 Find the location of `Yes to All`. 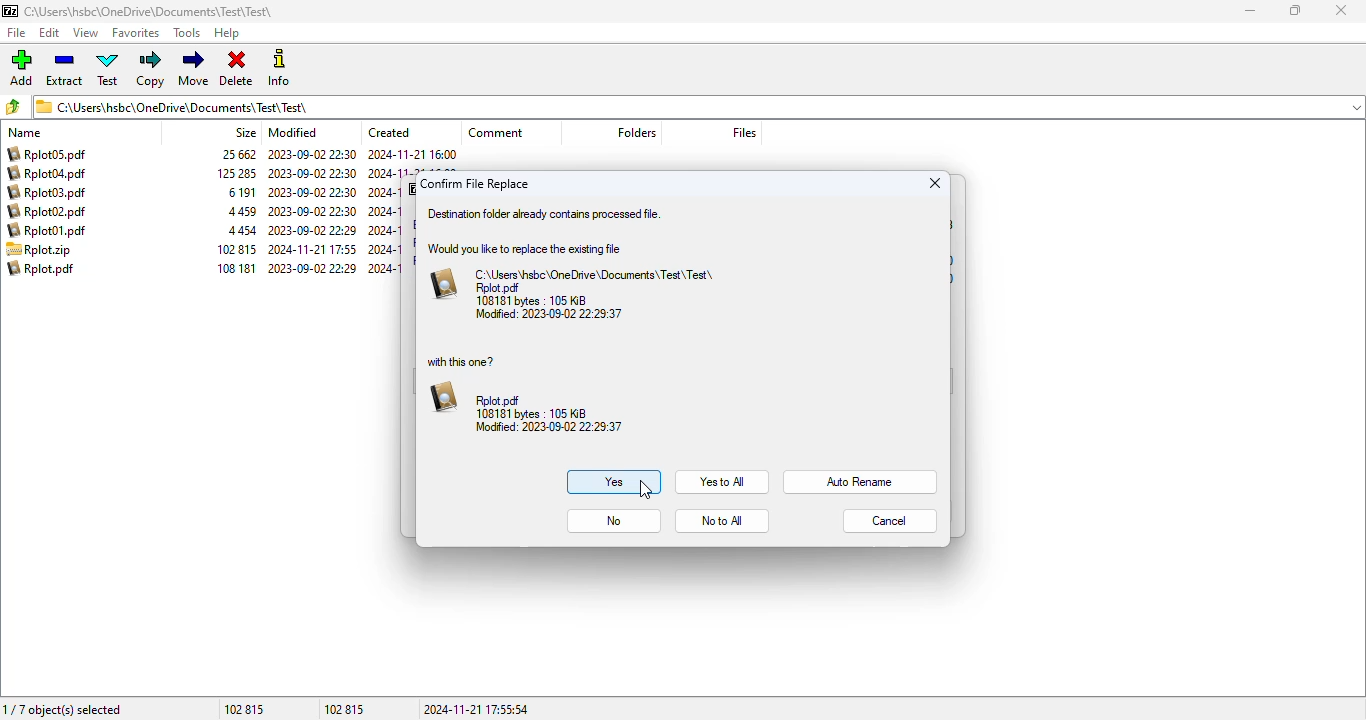

Yes to All is located at coordinates (722, 481).